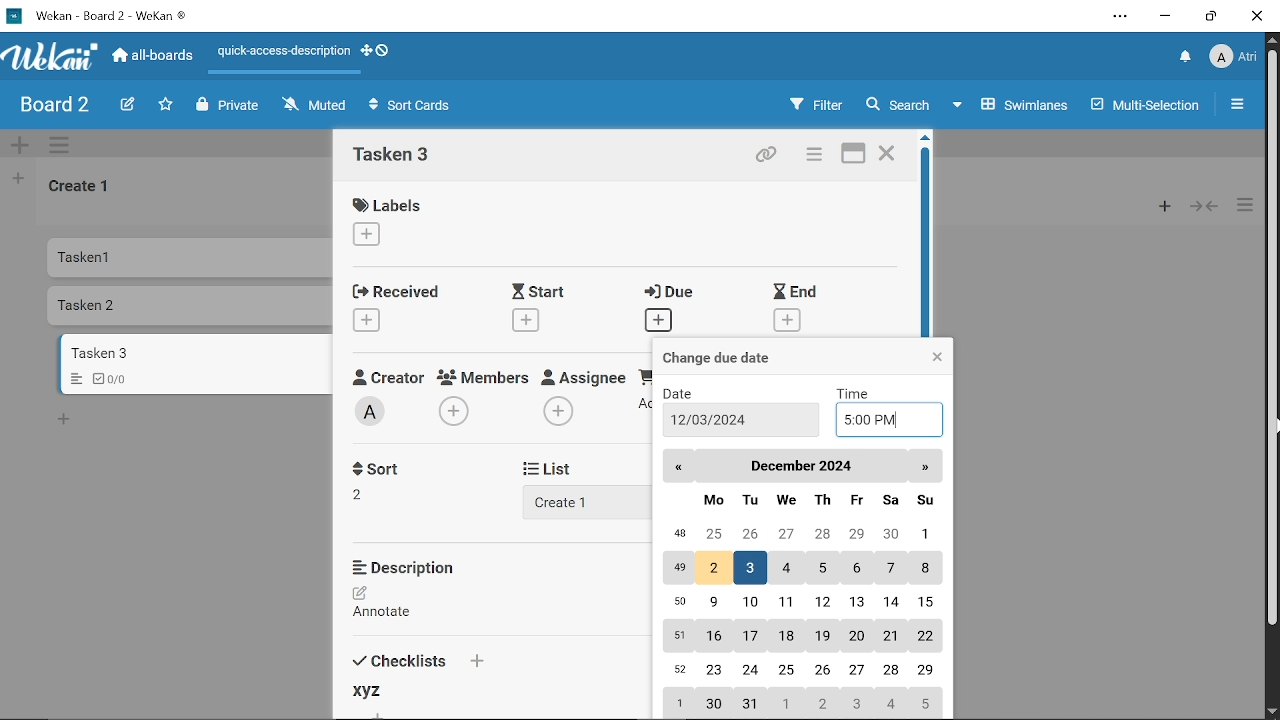 The height and width of the screenshot is (720, 1280). I want to click on Filters, so click(814, 105).